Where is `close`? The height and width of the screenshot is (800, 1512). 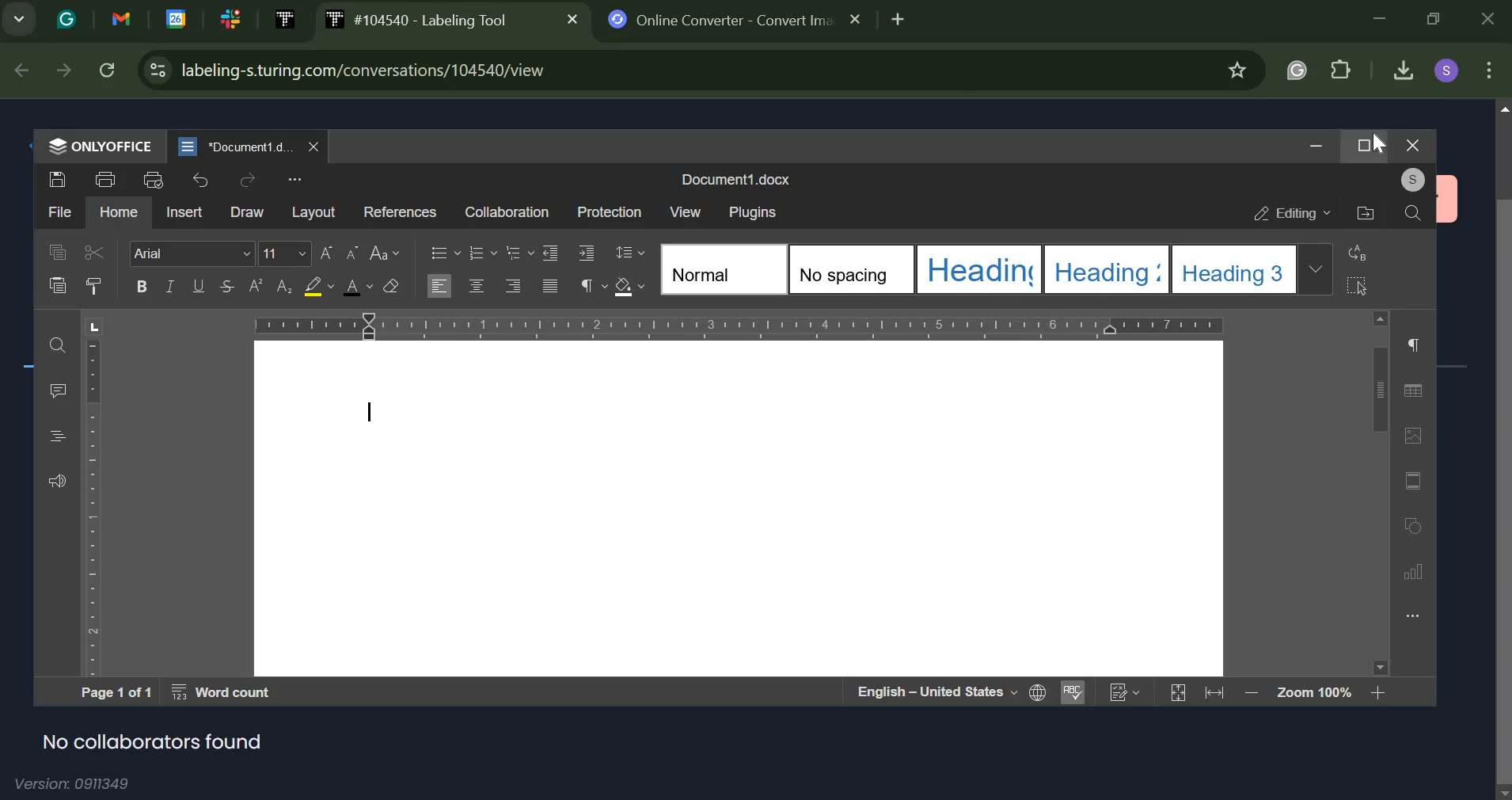
close is located at coordinates (1491, 17).